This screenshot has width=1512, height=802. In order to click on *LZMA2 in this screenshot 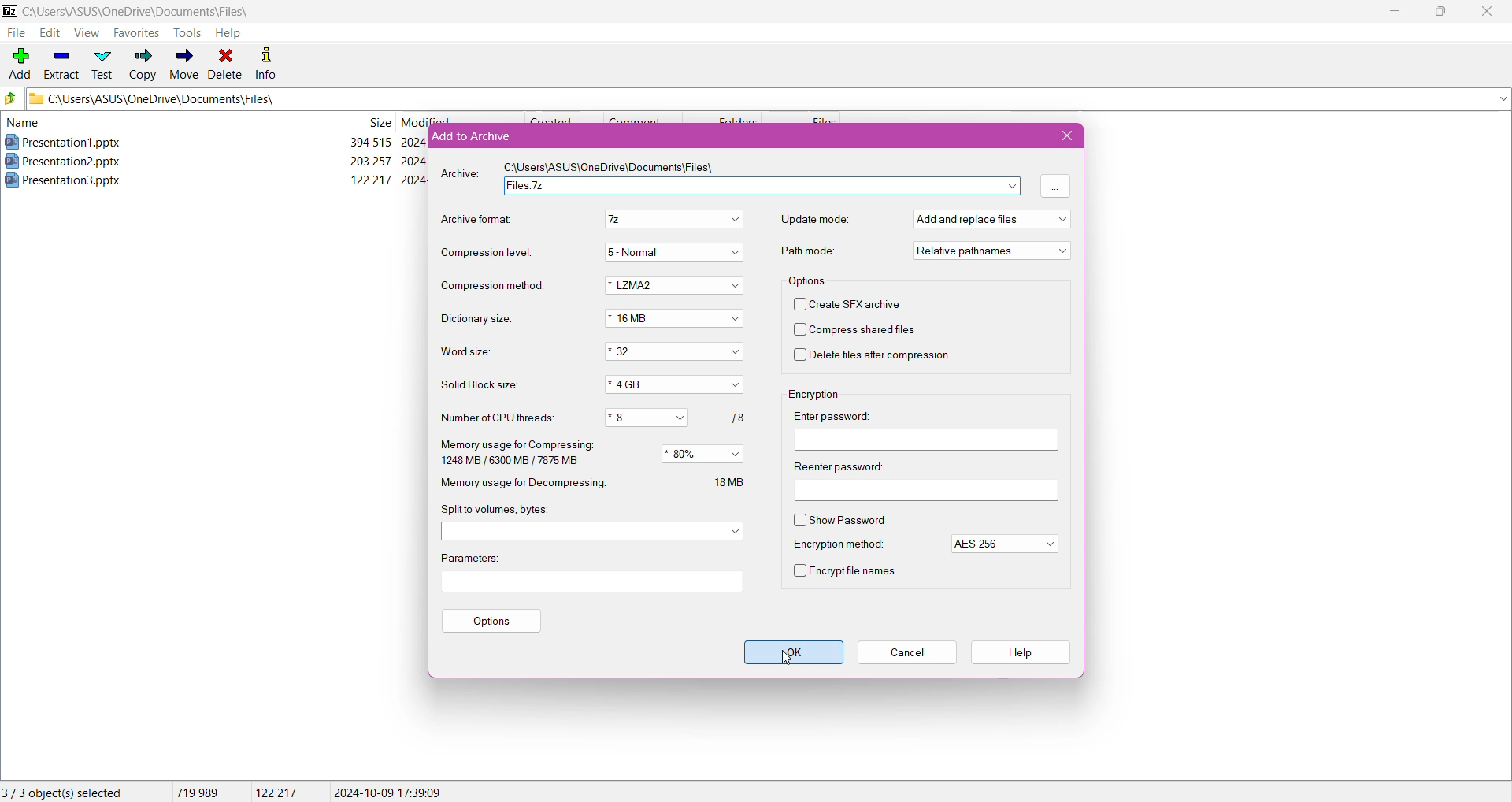, I will do `click(672, 286)`.